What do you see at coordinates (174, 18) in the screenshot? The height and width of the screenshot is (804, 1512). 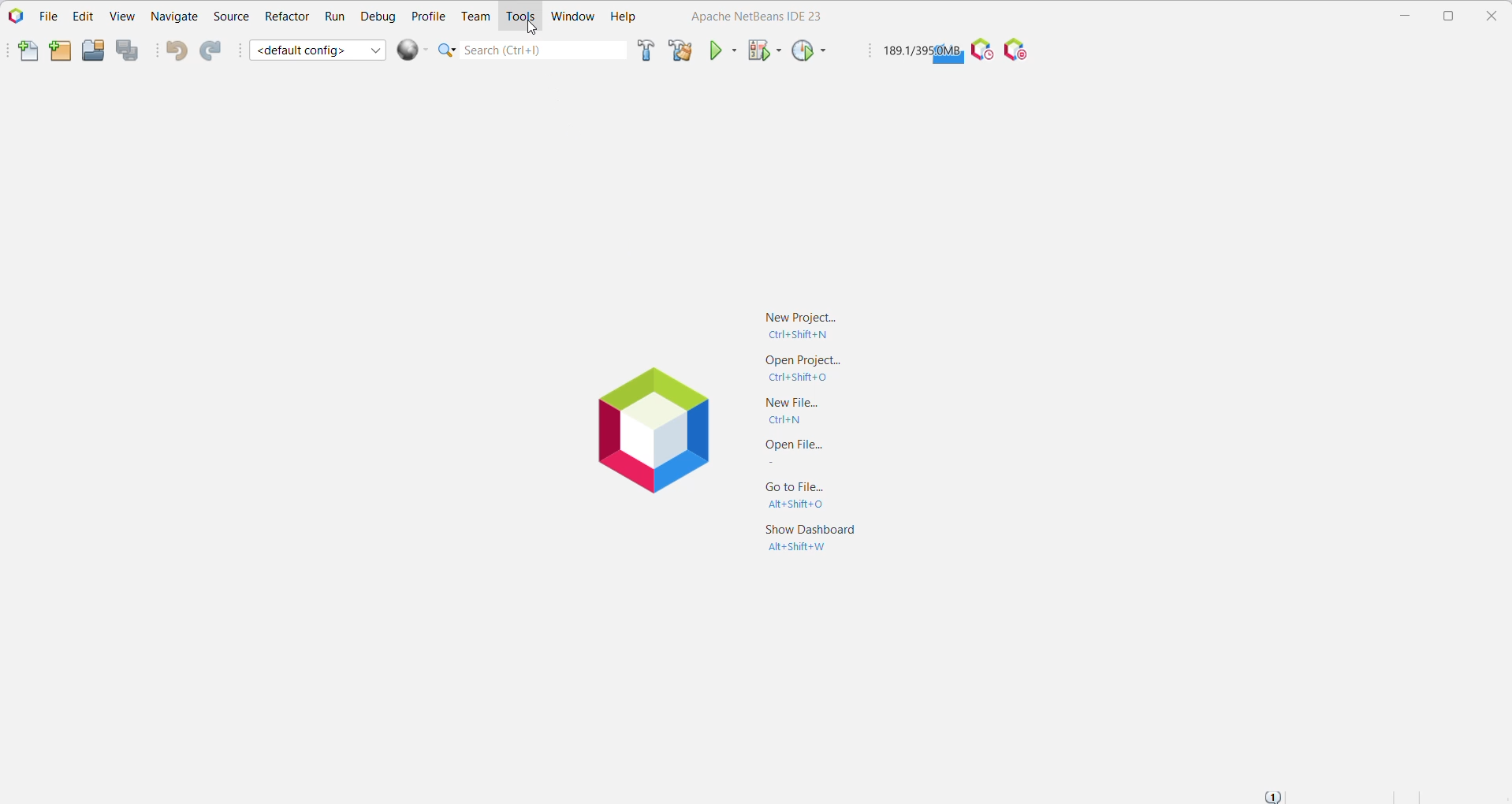 I see `Navigator` at bounding box center [174, 18].